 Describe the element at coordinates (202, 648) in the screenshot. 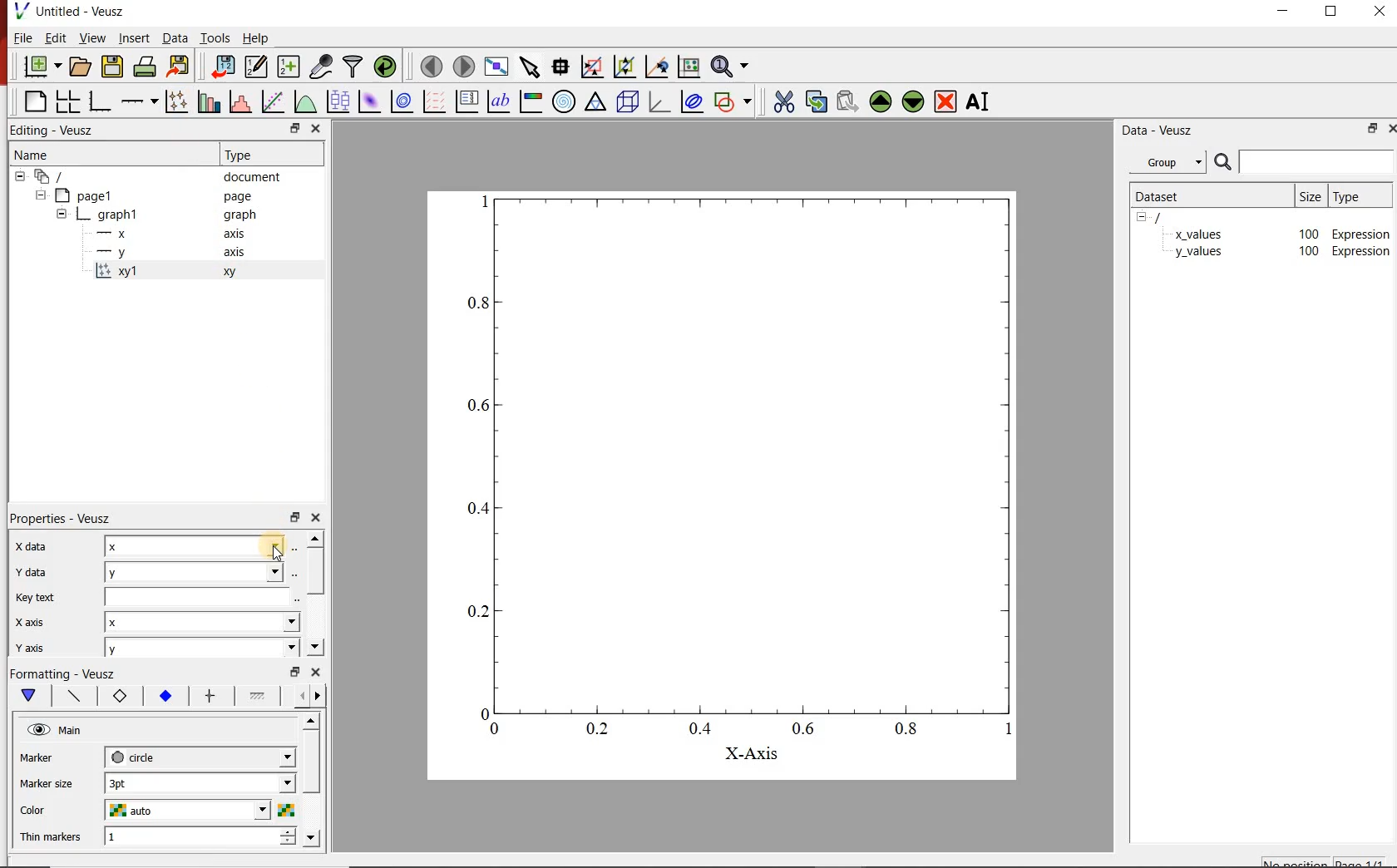

I see `y` at that location.